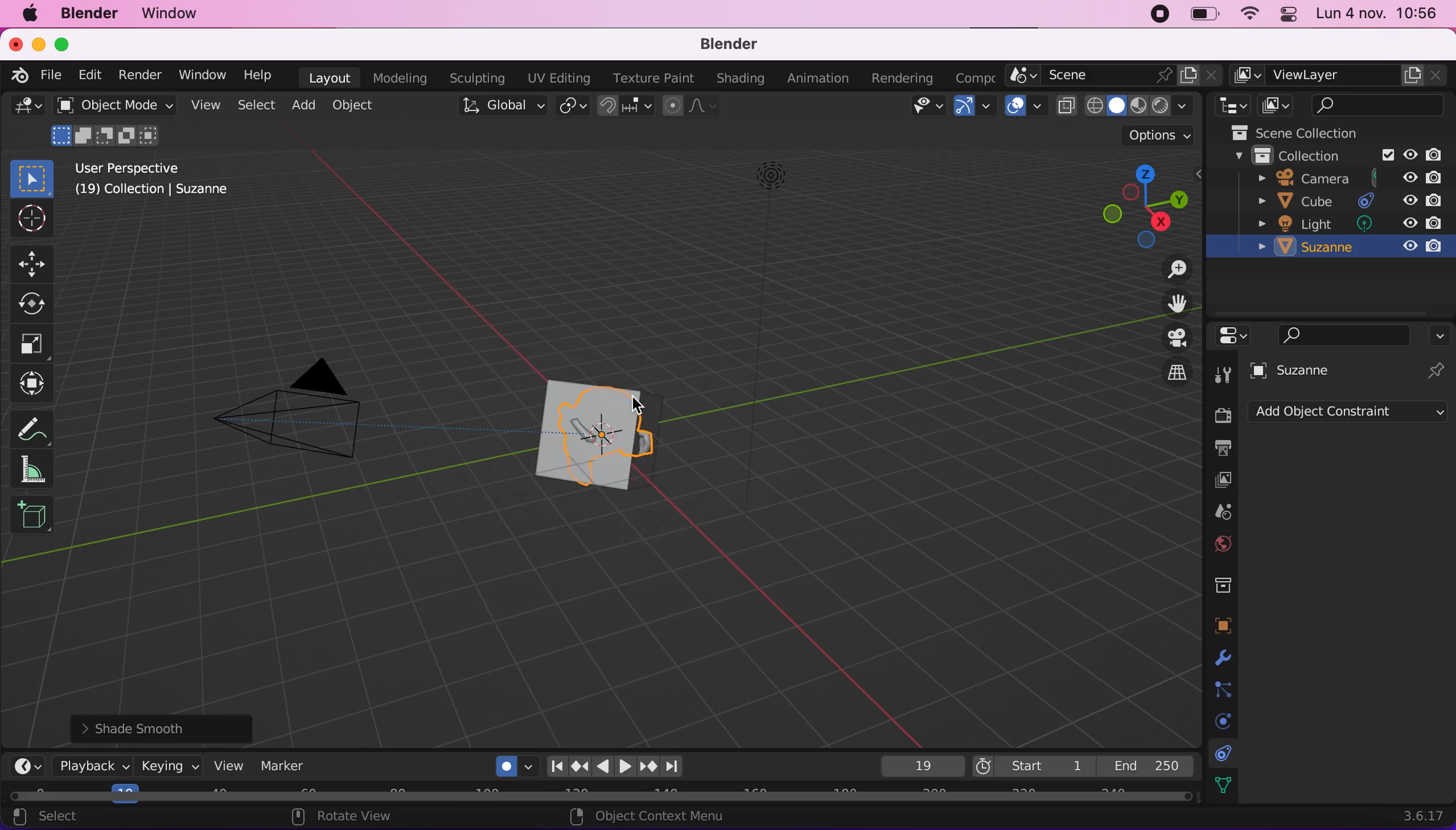  What do you see at coordinates (1139, 104) in the screenshot?
I see `Material preview display` at bounding box center [1139, 104].